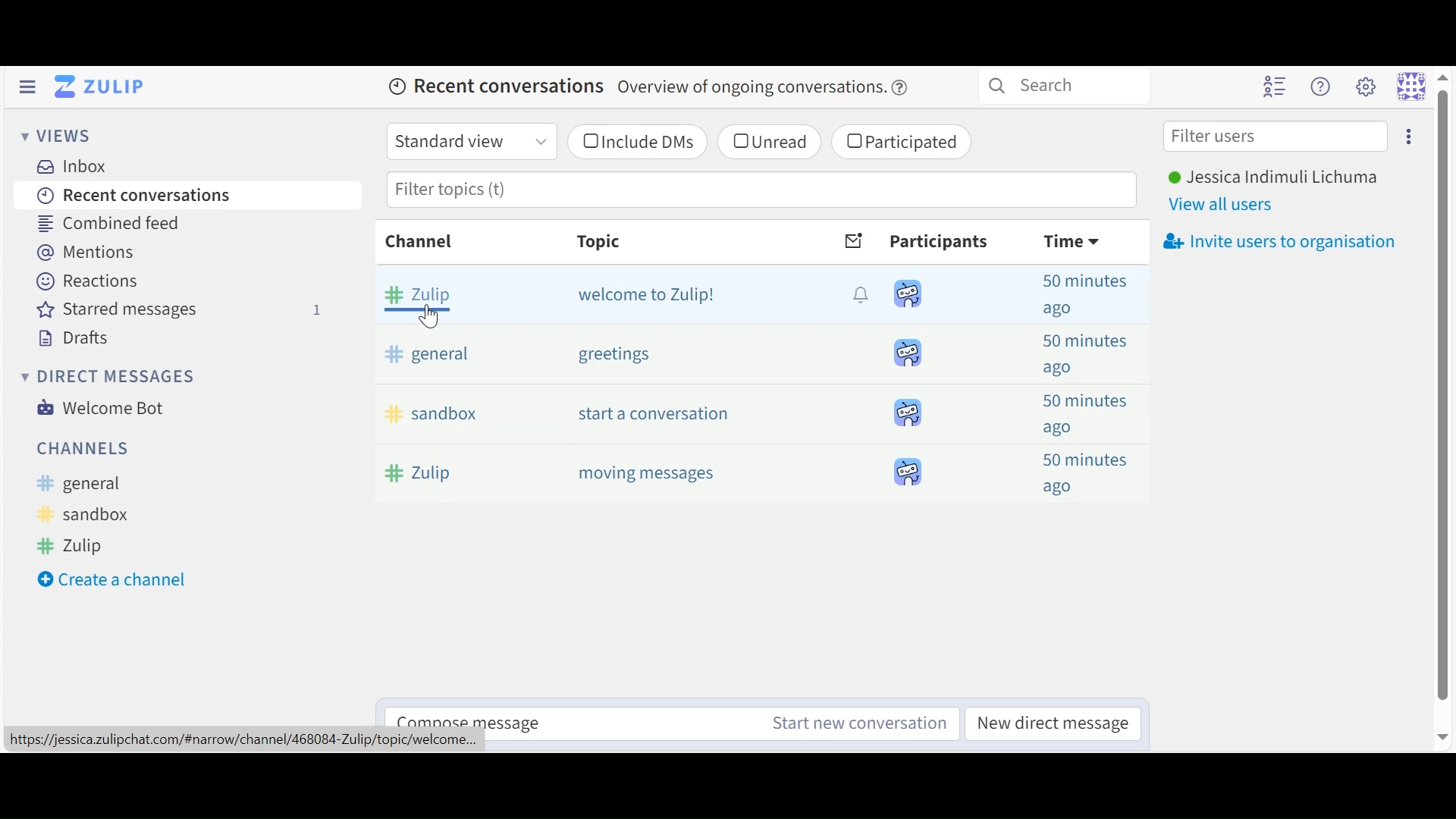  Describe the element at coordinates (1411, 85) in the screenshot. I see `Personal menu` at that location.